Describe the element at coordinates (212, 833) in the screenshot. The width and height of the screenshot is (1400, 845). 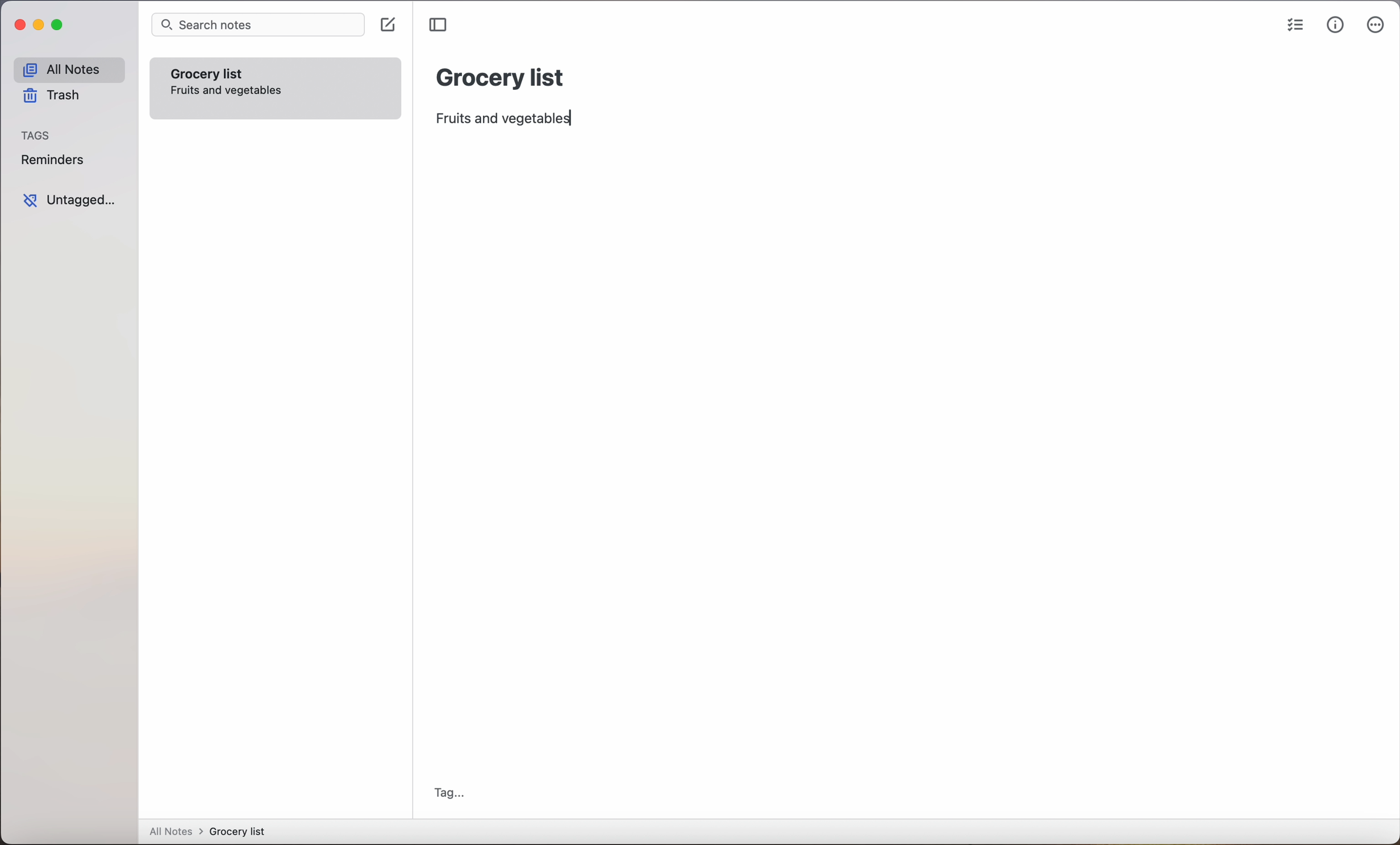
I see `all notes > grocery list` at that location.